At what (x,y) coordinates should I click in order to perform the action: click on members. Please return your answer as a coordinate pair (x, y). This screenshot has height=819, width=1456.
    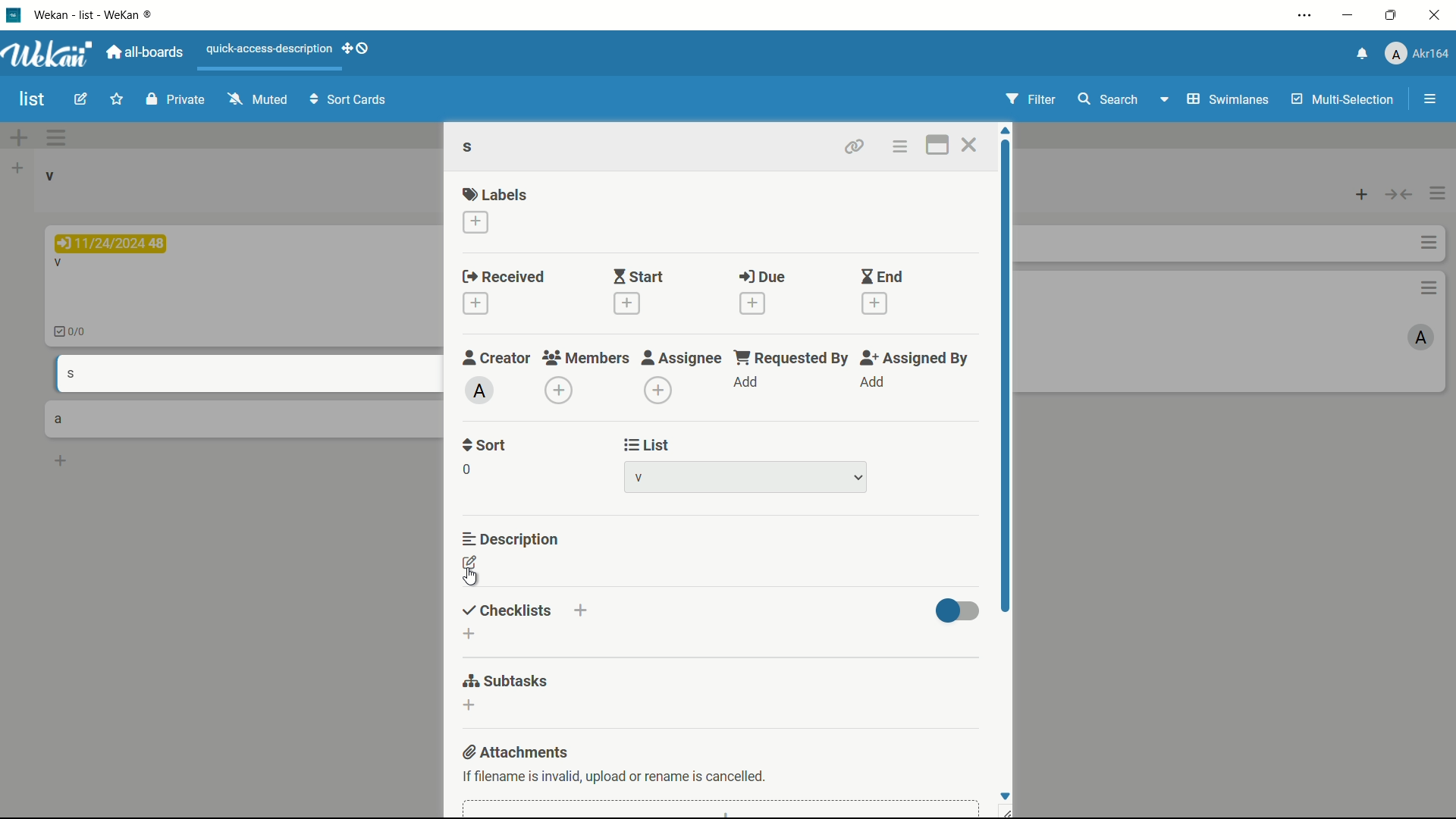
    Looking at the image, I should click on (585, 358).